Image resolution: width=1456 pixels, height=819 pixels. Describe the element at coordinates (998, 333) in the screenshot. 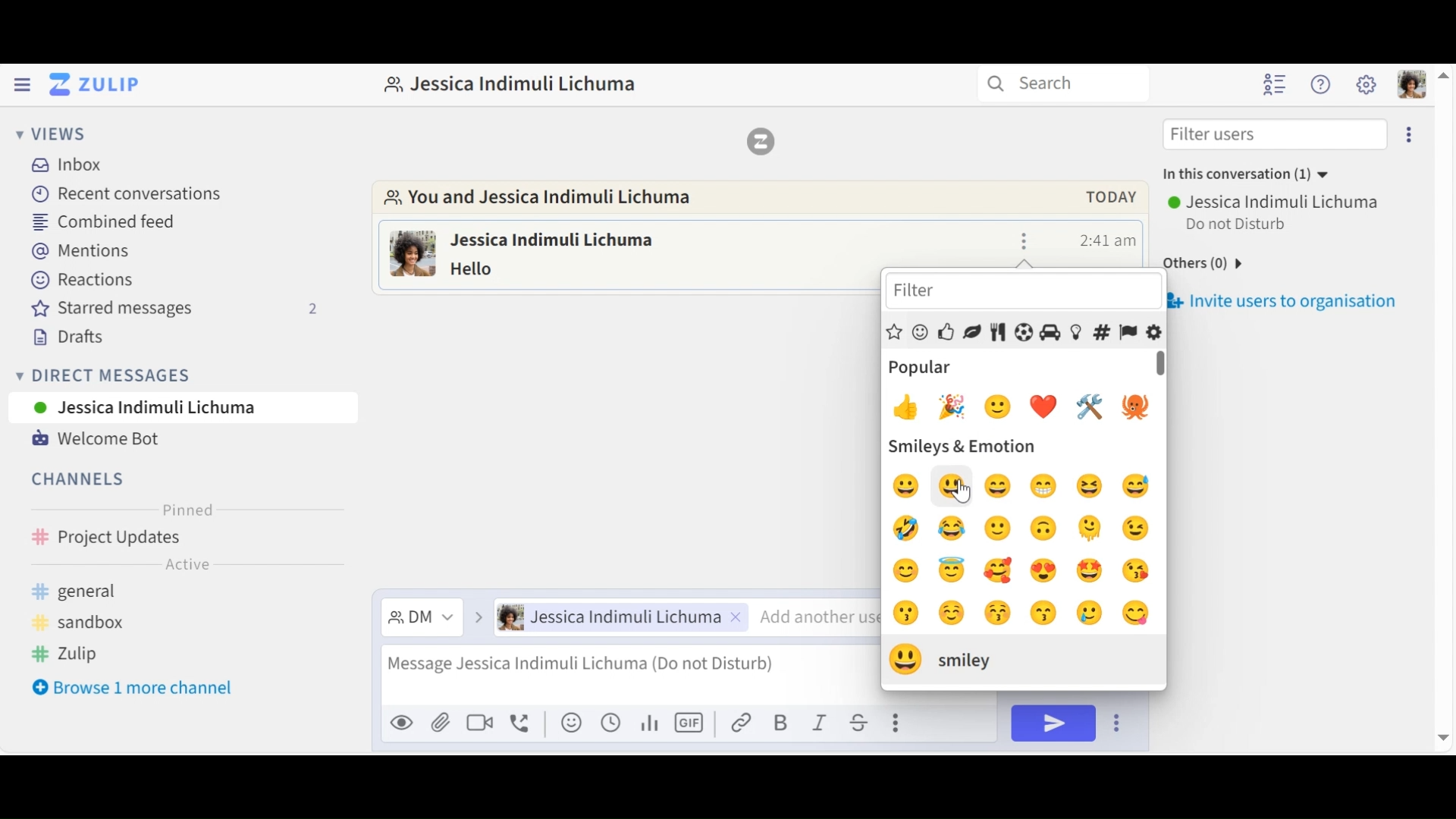

I see `Food and drink` at that location.